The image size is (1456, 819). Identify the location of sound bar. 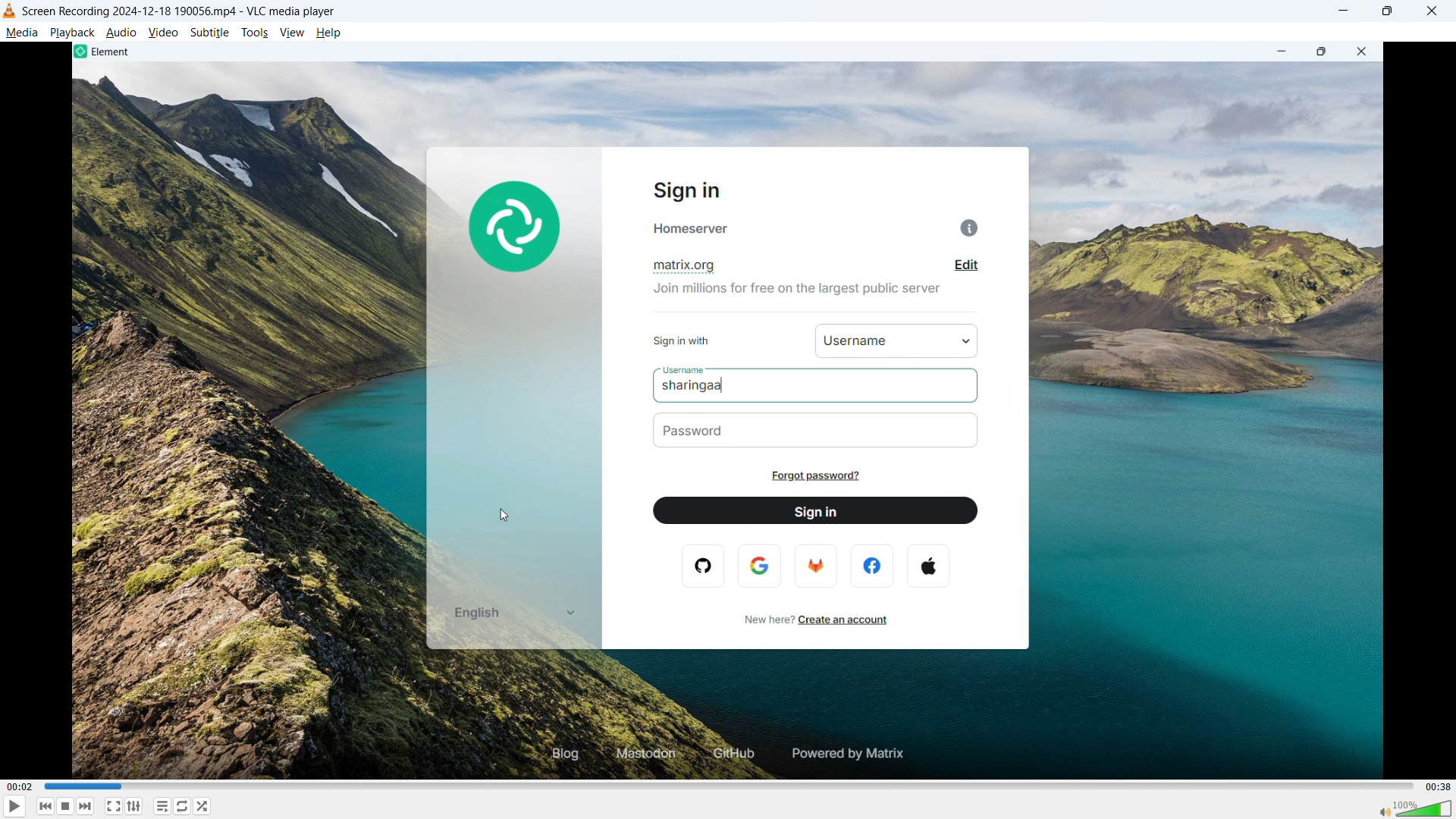
(1414, 808).